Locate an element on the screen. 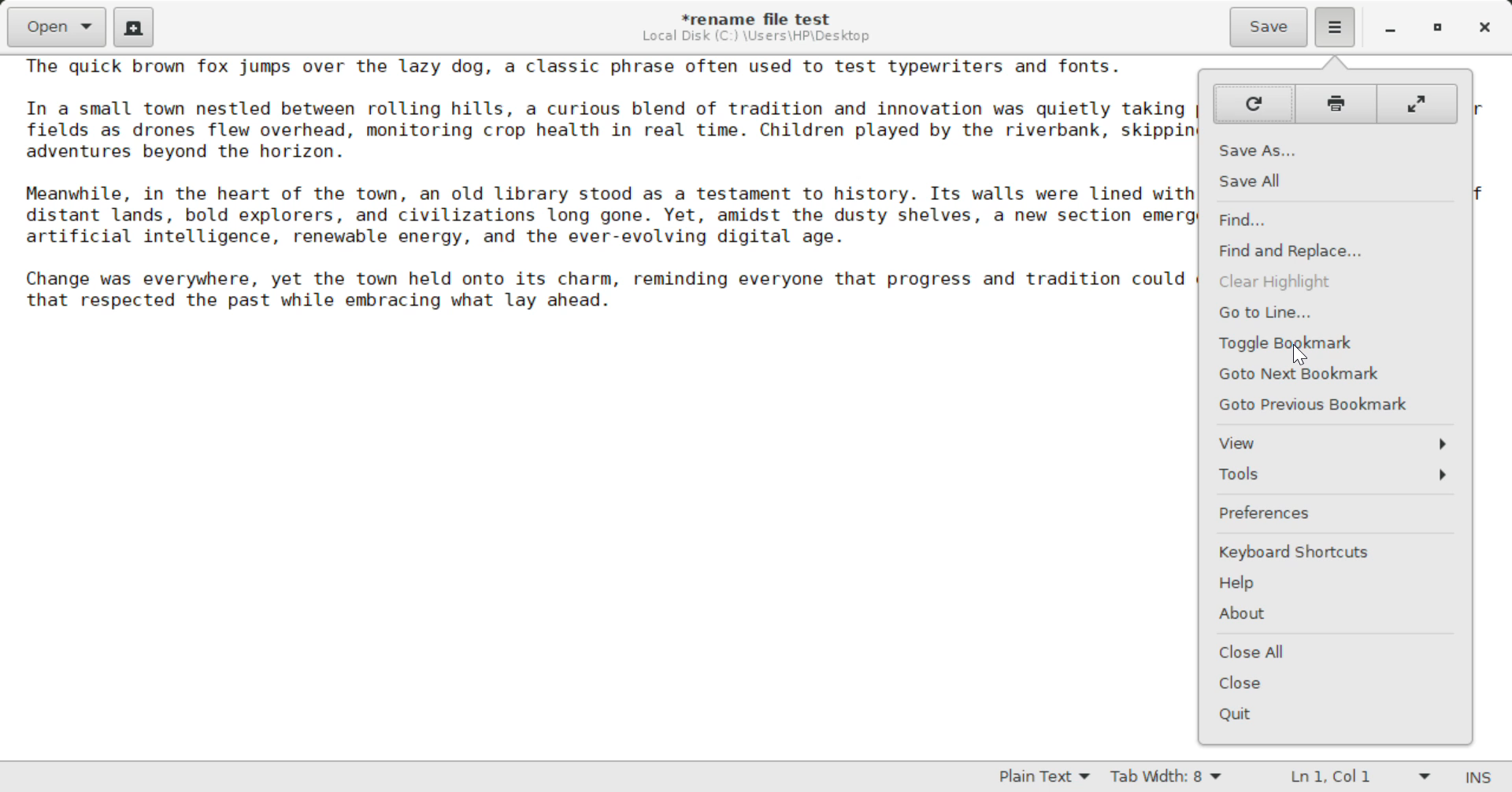 The height and width of the screenshot is (792, 1512). Cursor Position is located at coordinates (1296, 351).